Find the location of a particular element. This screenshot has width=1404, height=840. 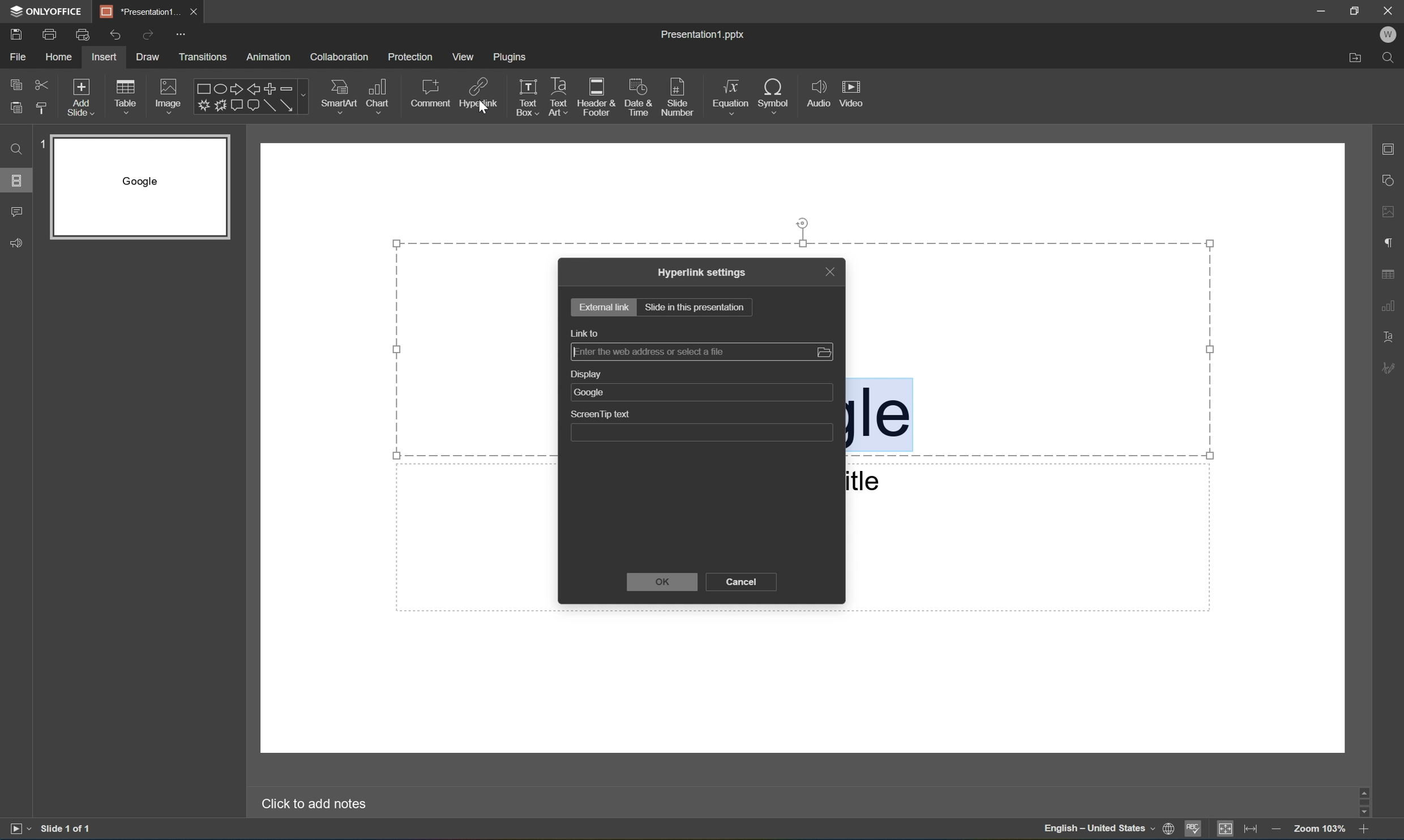

Copy is located at coordinates (15, 83).